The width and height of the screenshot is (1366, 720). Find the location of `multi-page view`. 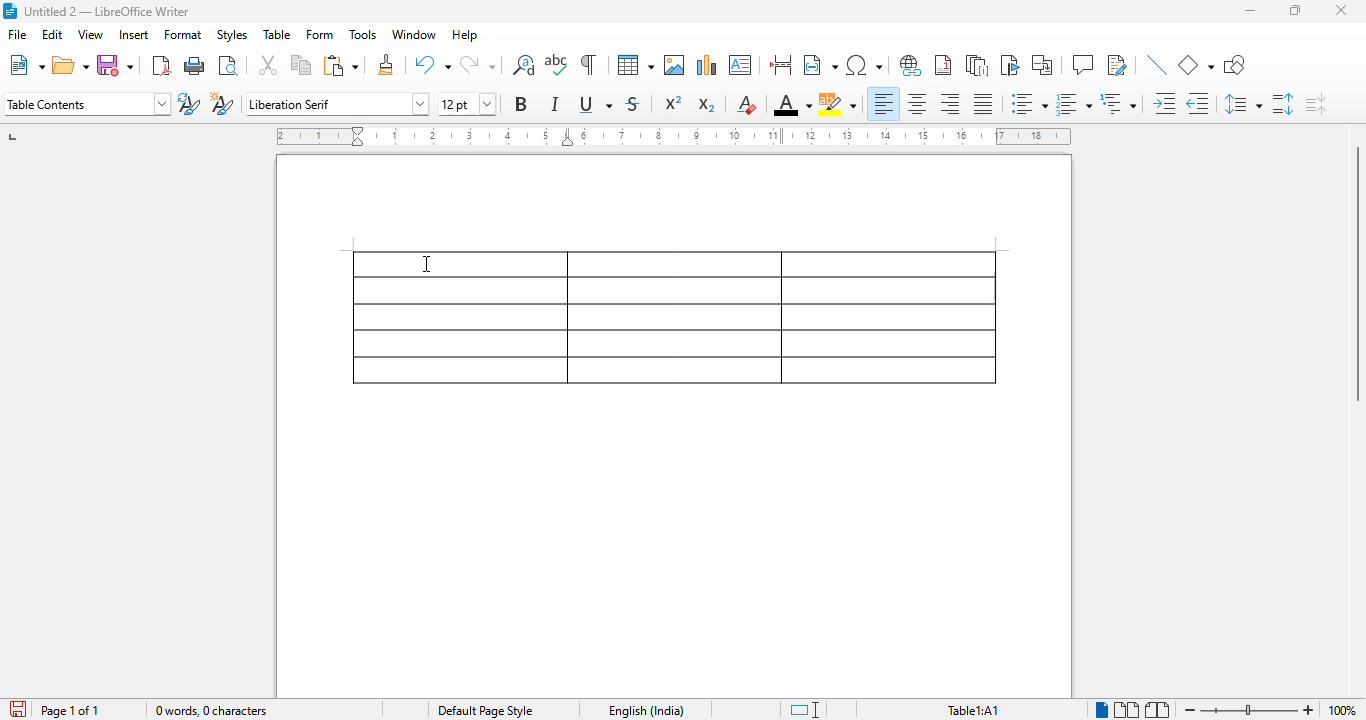

multi-page view is located at coordinates (1128, 710).